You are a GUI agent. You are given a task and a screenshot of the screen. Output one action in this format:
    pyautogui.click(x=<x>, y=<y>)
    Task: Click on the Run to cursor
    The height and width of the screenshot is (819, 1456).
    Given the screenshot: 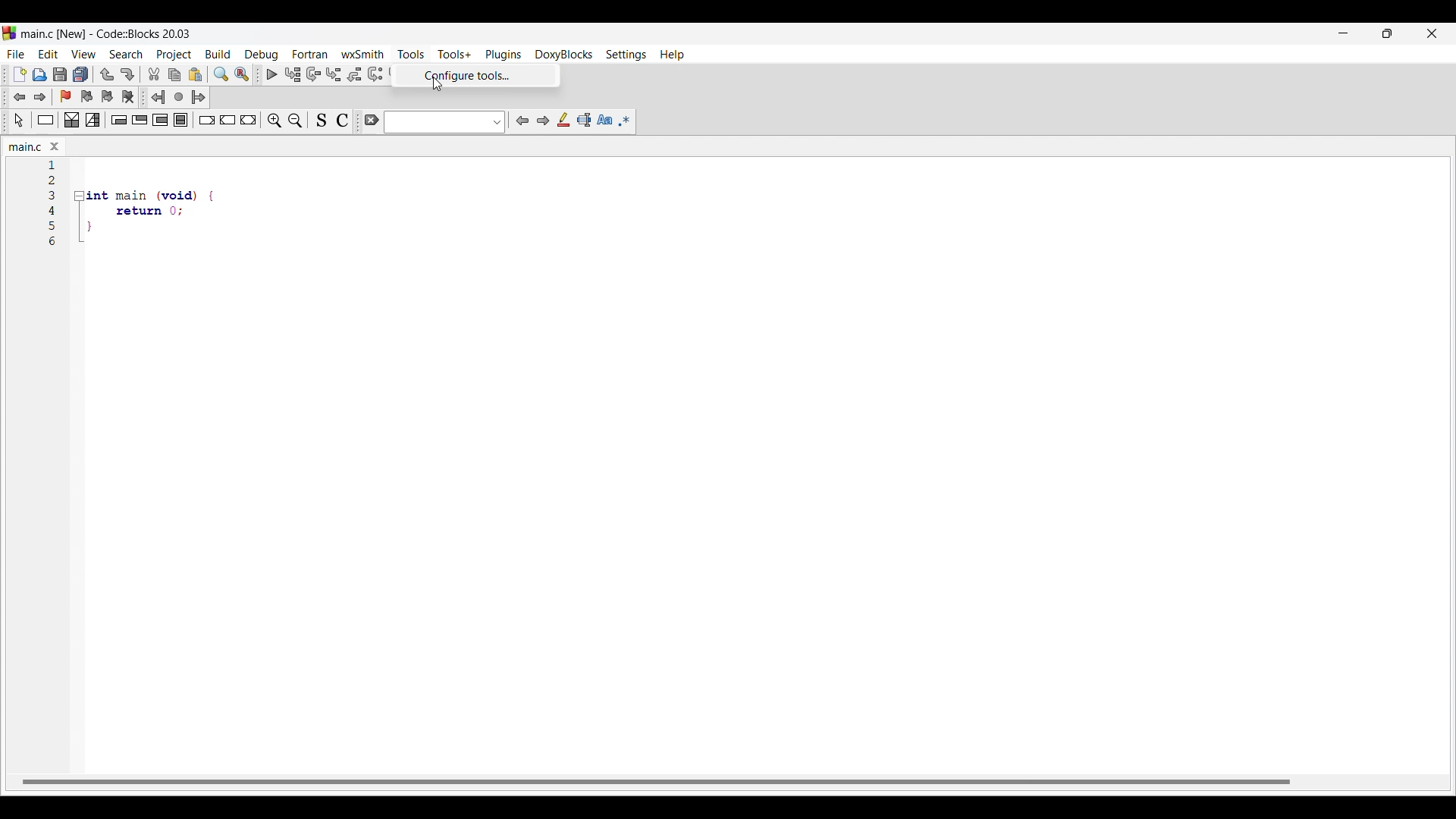 What is the action you would take?
    pyautogui.click(x=293, y=75)
    